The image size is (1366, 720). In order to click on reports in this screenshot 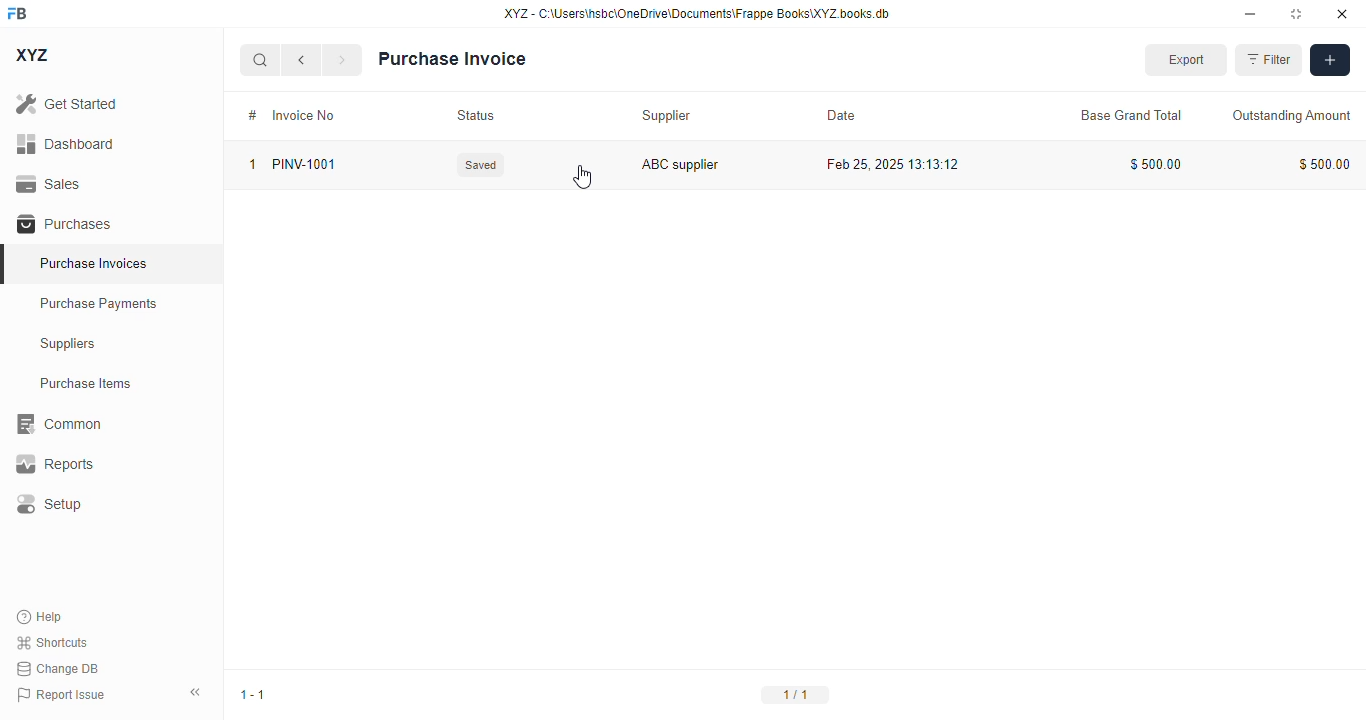, I will do `click(55, 464)`.